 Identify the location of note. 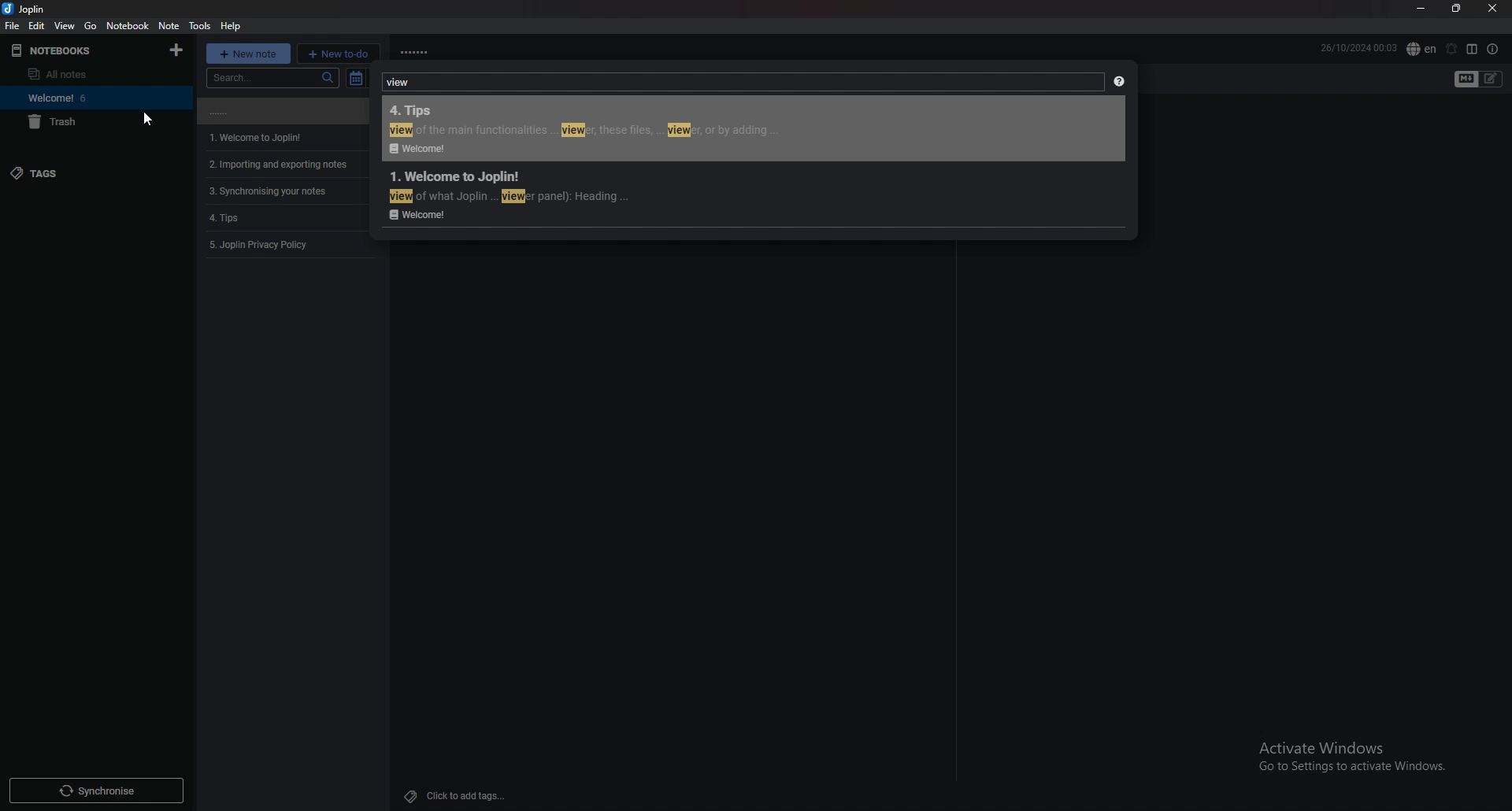
(169, 25).